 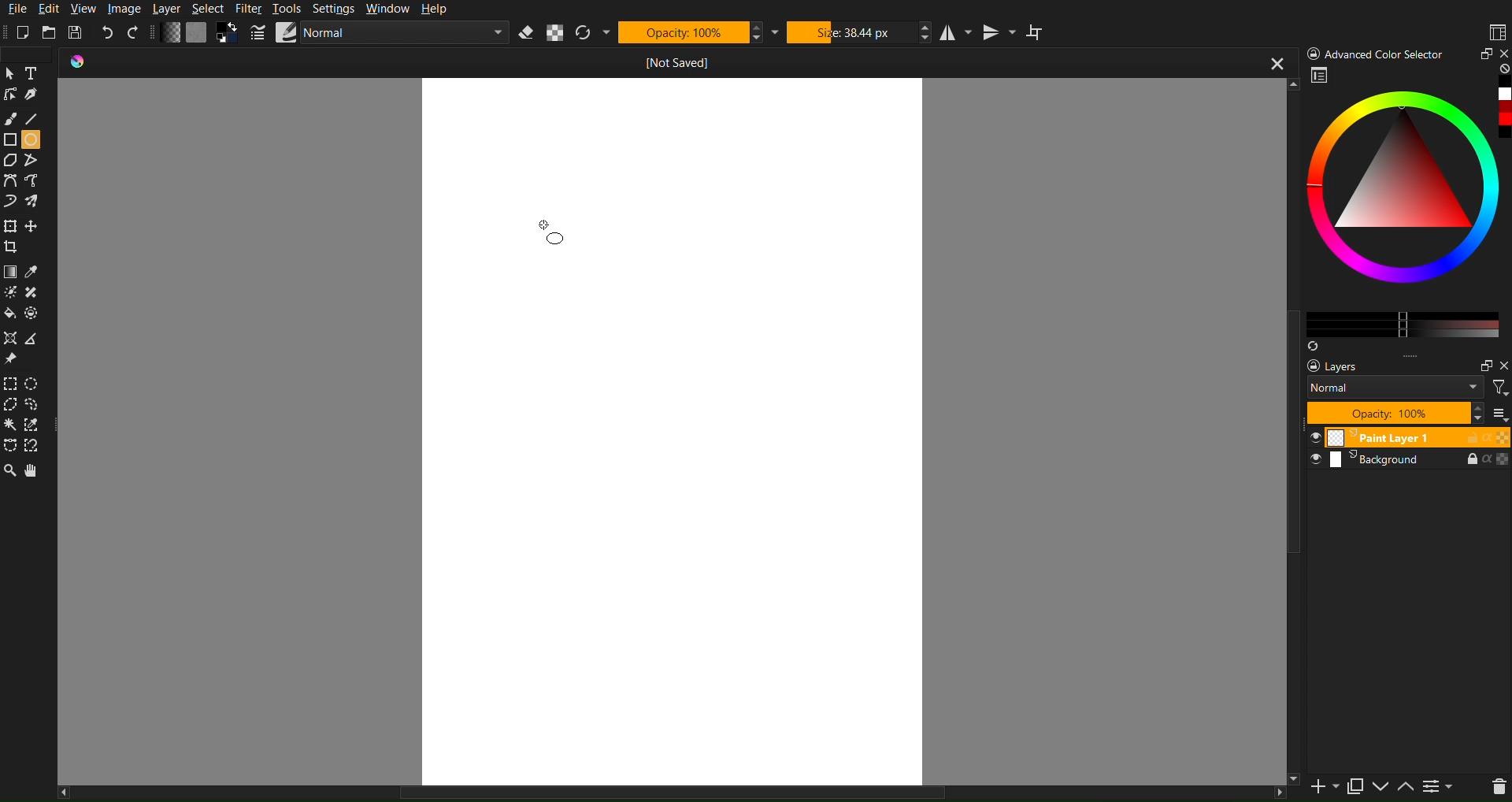 What do you see at coordinates (681, 32) in the screenshot?
I see `Opacity` at bounding box center [681, 32].